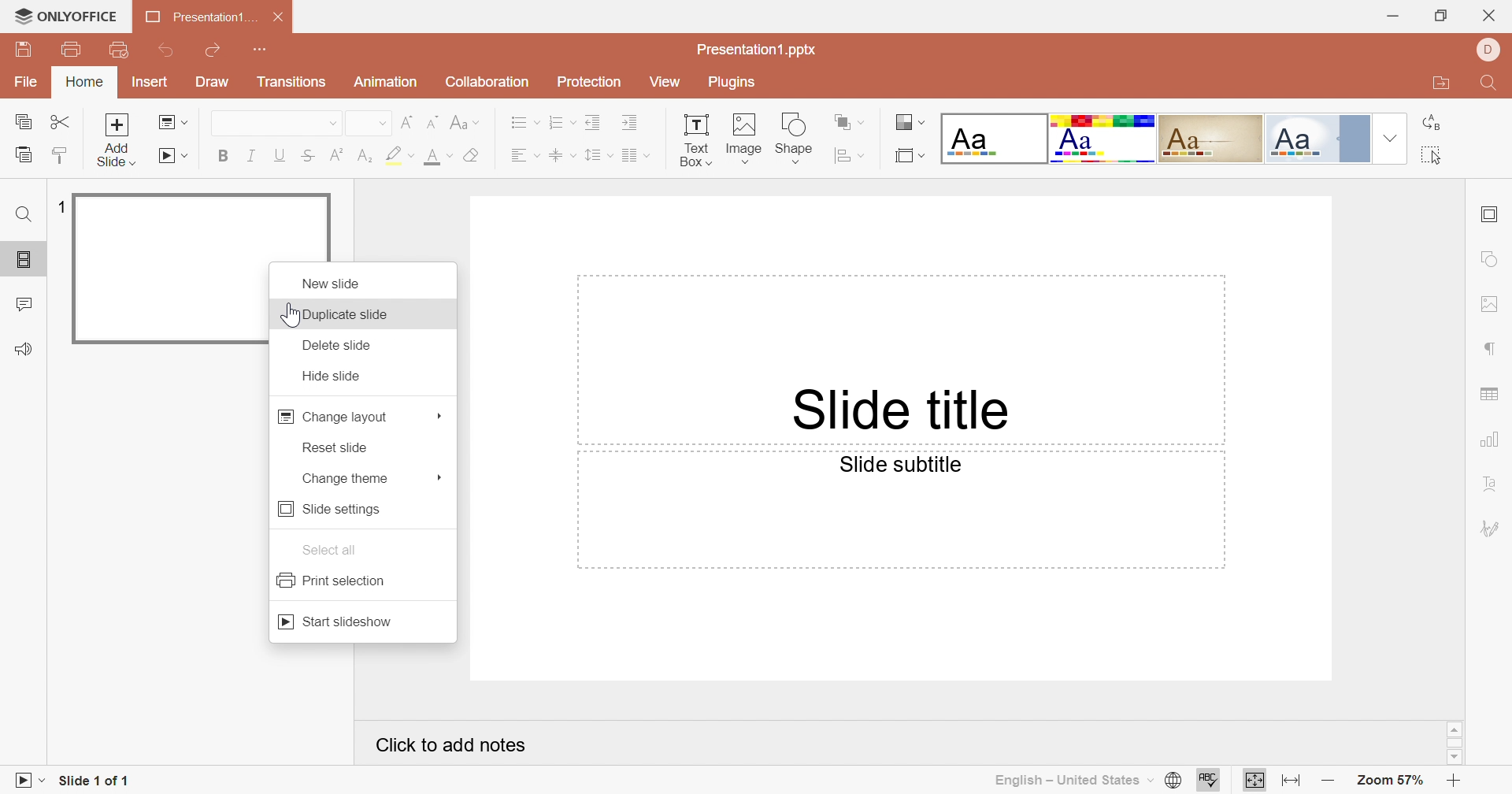  Describe the element at coordinates (537, 122) in the screenshot. I see `Drop Down` at that location.